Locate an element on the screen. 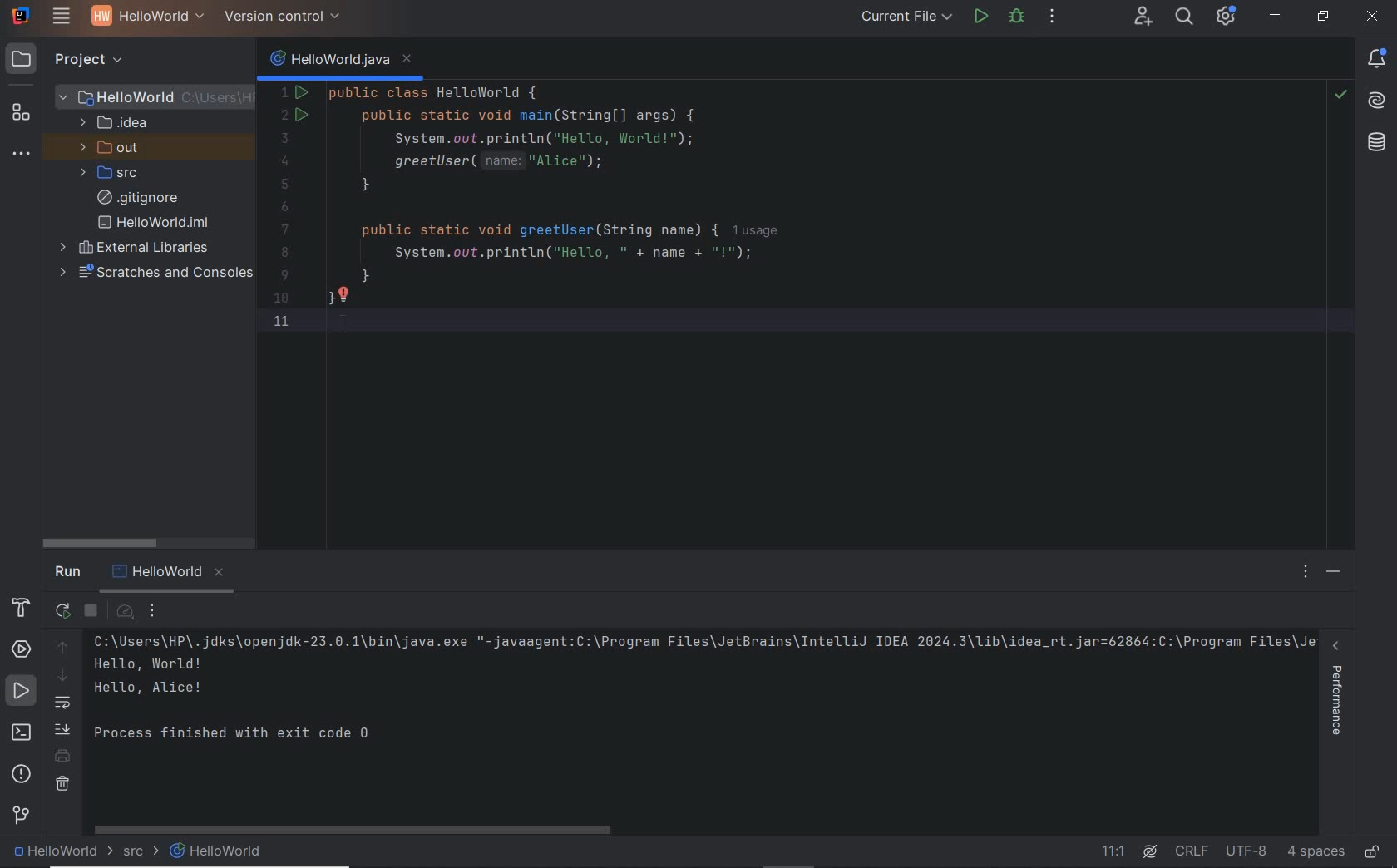 Image resolution: width=1397 pixels, height=868 pixels. AI Assistant is located at coordinates (1149, 852).